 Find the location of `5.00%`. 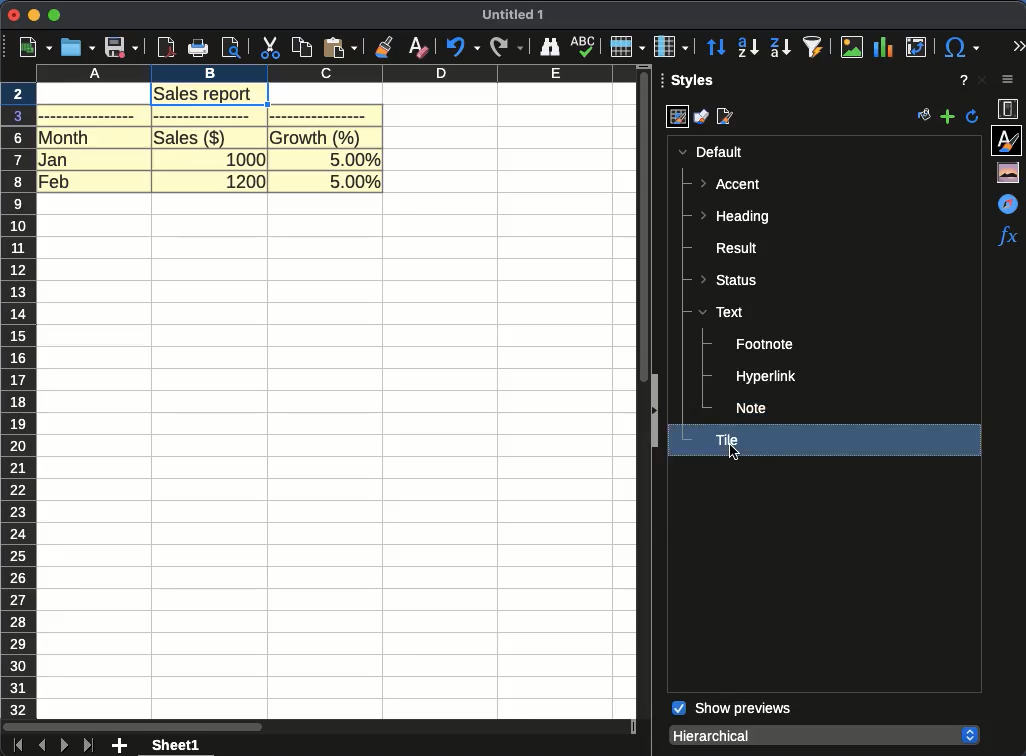

5.00% is located at coordinates (355, 157).